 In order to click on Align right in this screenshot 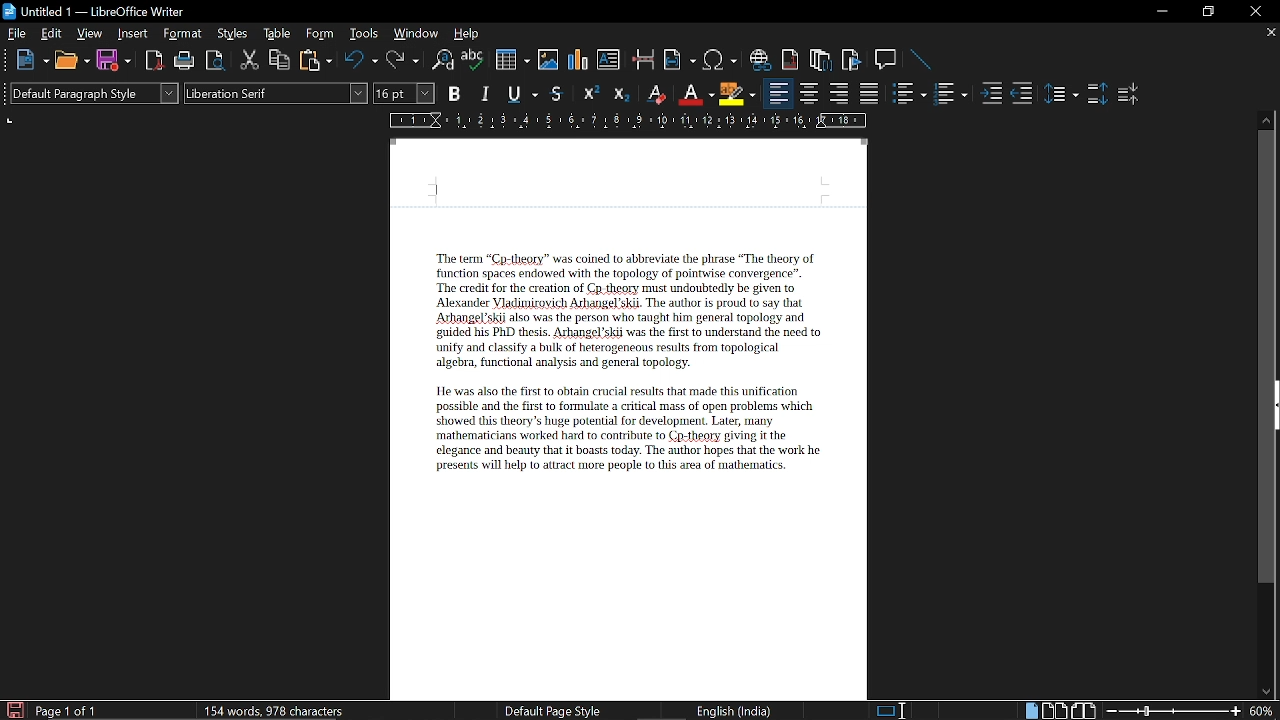, I will do `click(838, 93)`.